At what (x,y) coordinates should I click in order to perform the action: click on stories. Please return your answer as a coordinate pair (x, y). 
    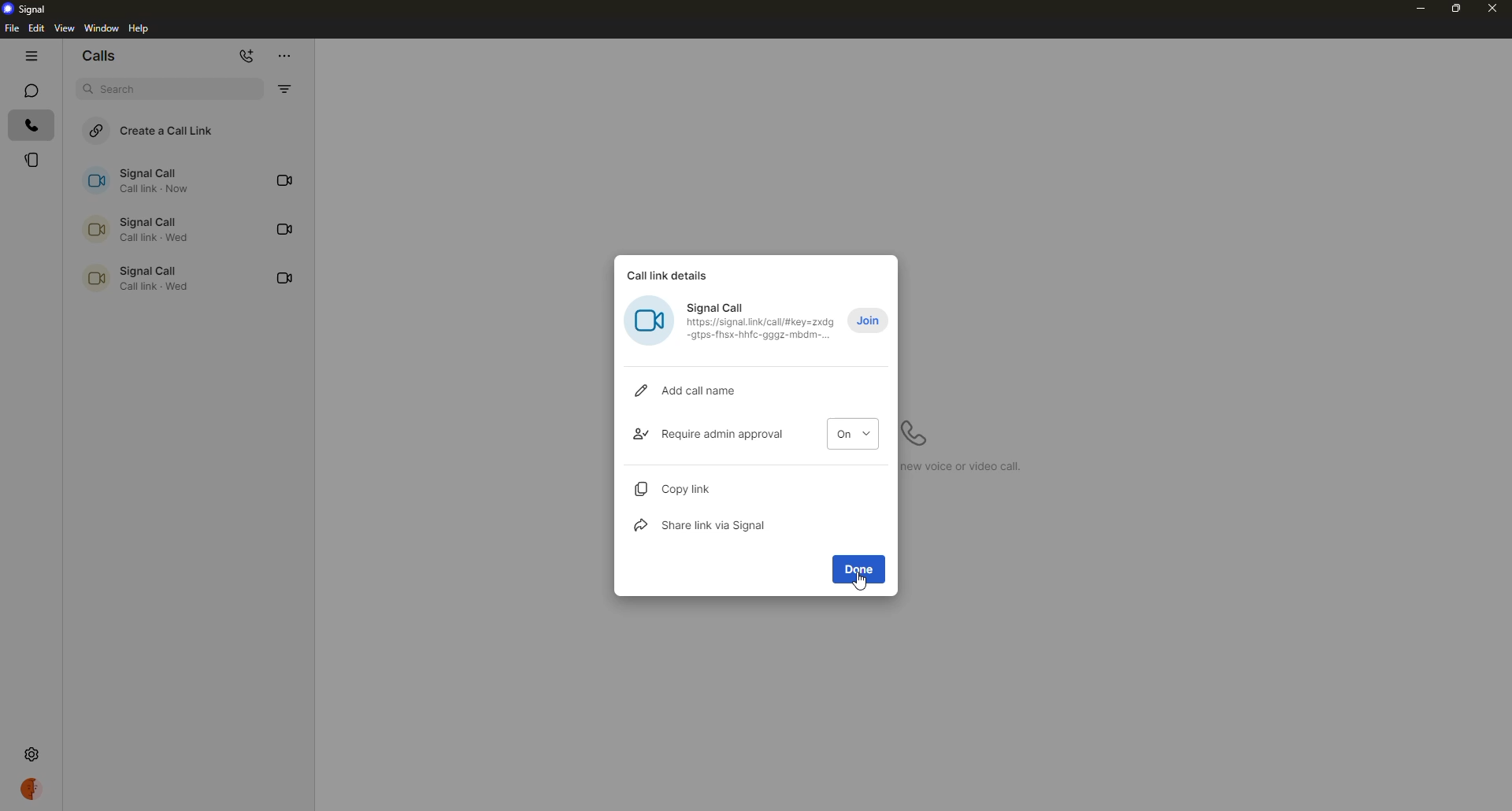
    Looking at the image, I should click on (33, 161).